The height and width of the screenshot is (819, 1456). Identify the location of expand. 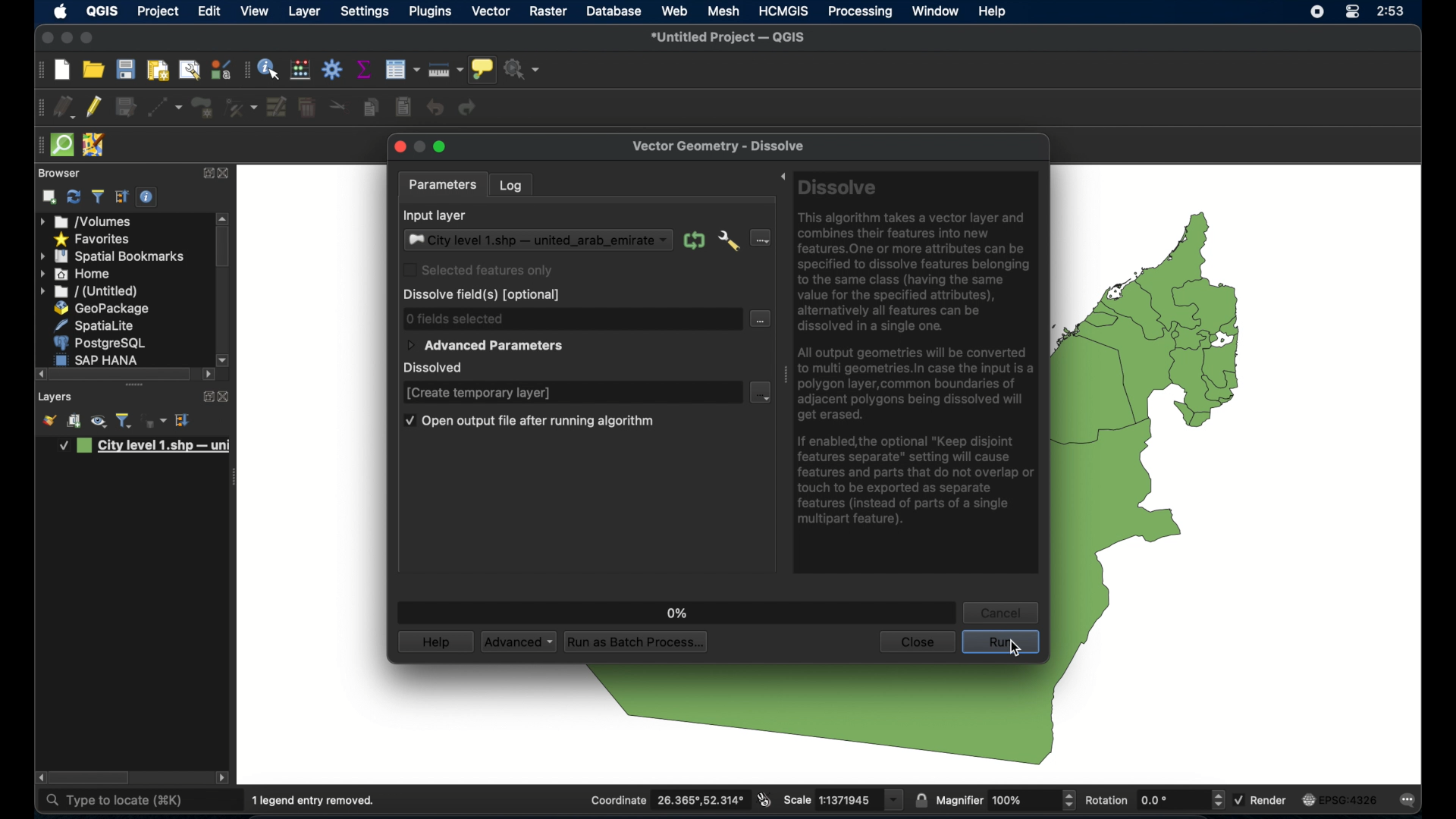
(206, 171).